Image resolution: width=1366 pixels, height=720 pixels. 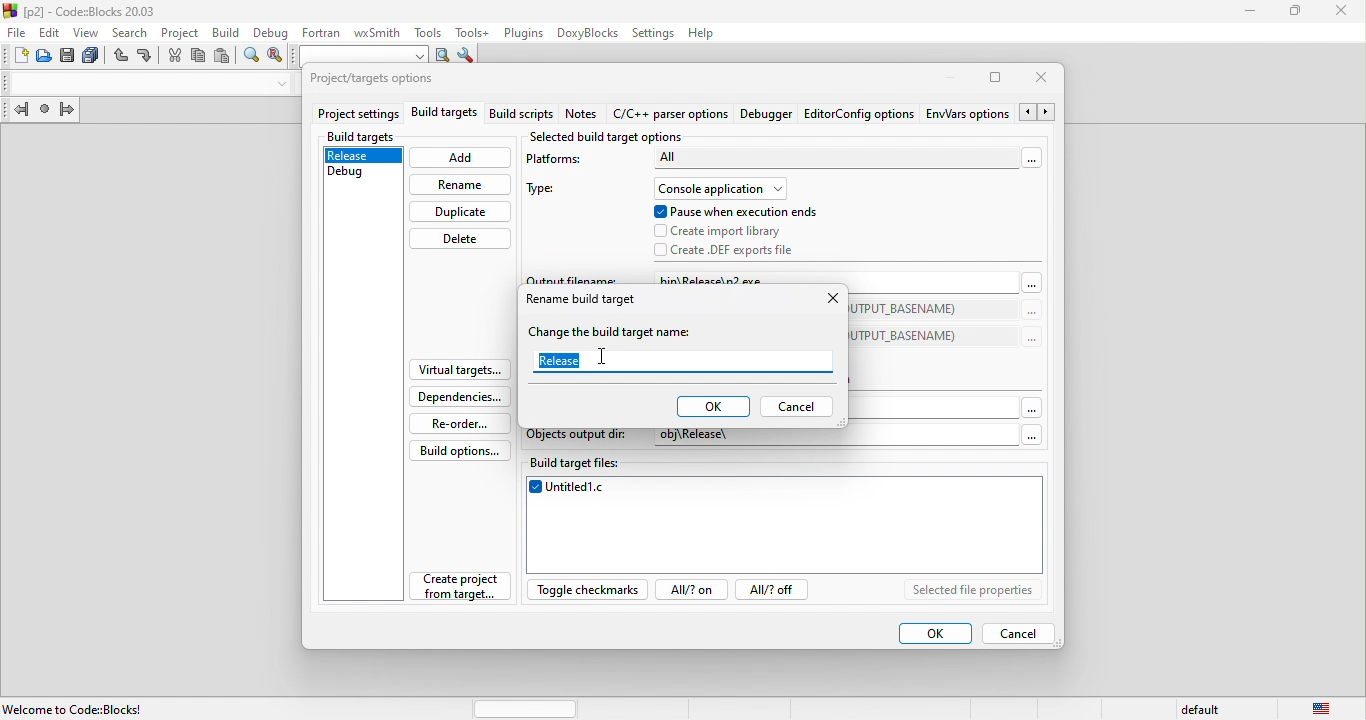 I want to click on type, so click(x=549, y=191).